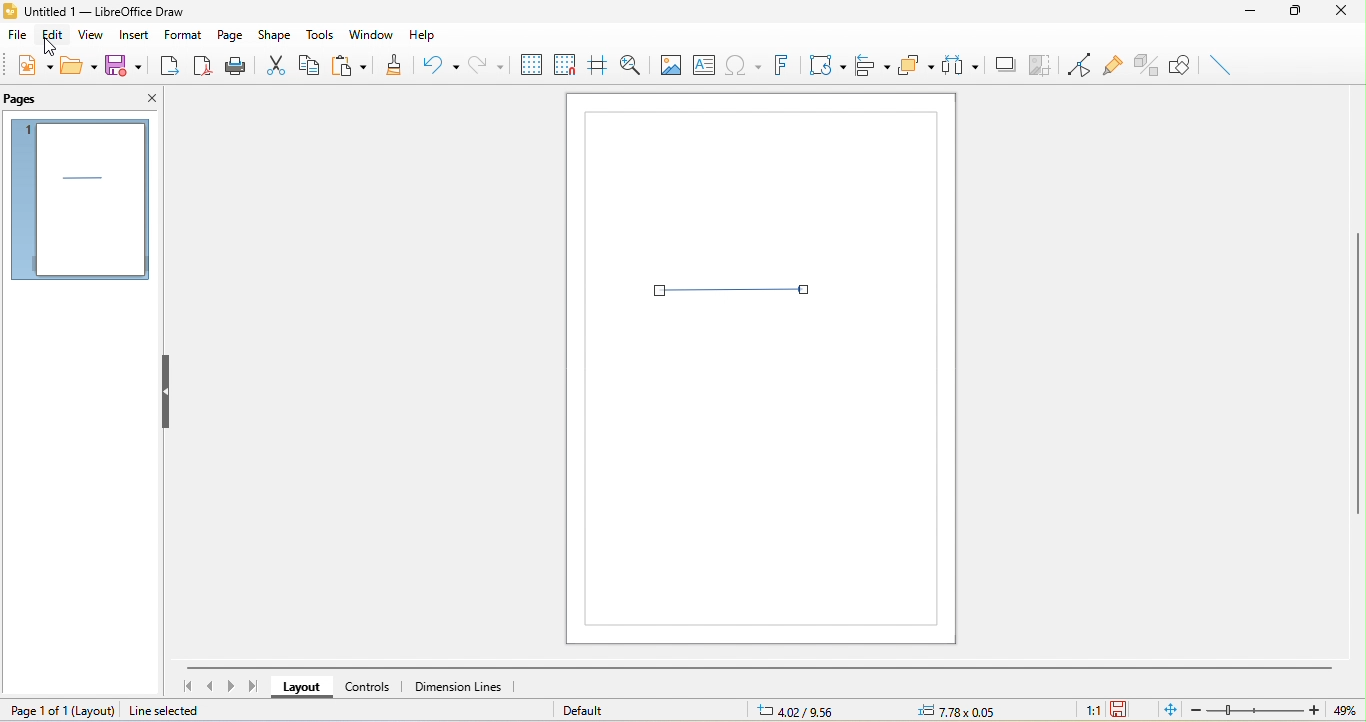 Image resolution: width=1366 pixels, height=722 pixels. I want to click on clone formatting, so click(397, 63).